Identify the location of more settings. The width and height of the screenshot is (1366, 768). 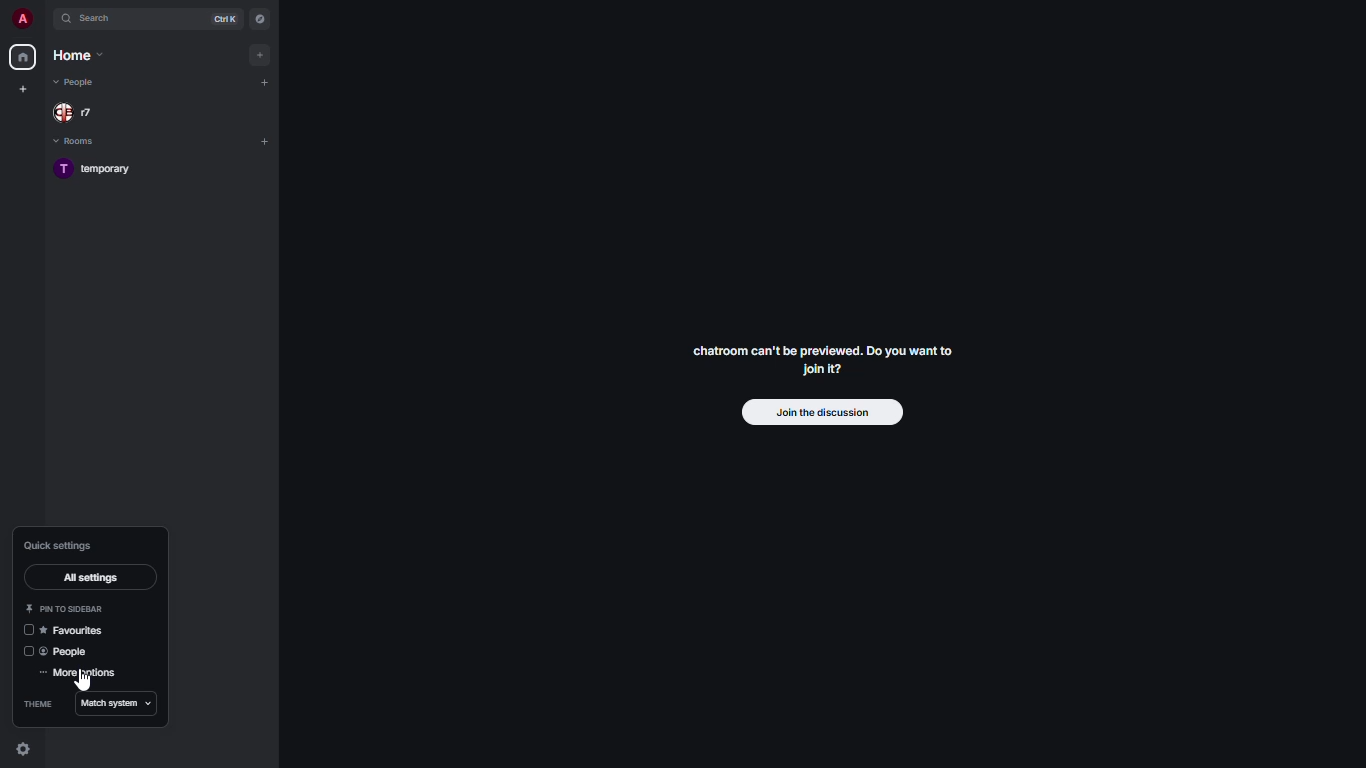
(82, 674).